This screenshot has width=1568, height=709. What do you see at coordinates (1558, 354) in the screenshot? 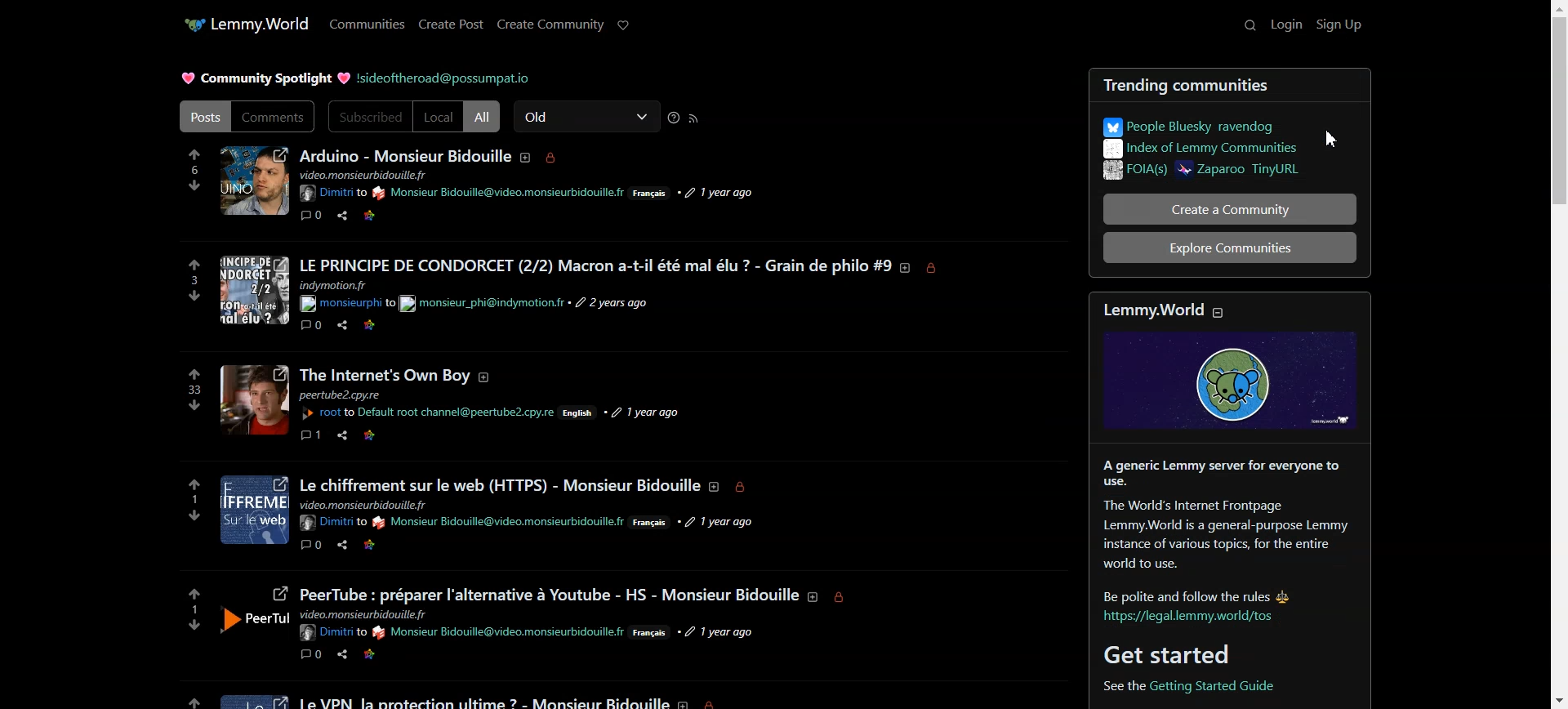
I see `Vertical scroll bar` at bounding box center [1558, 354].